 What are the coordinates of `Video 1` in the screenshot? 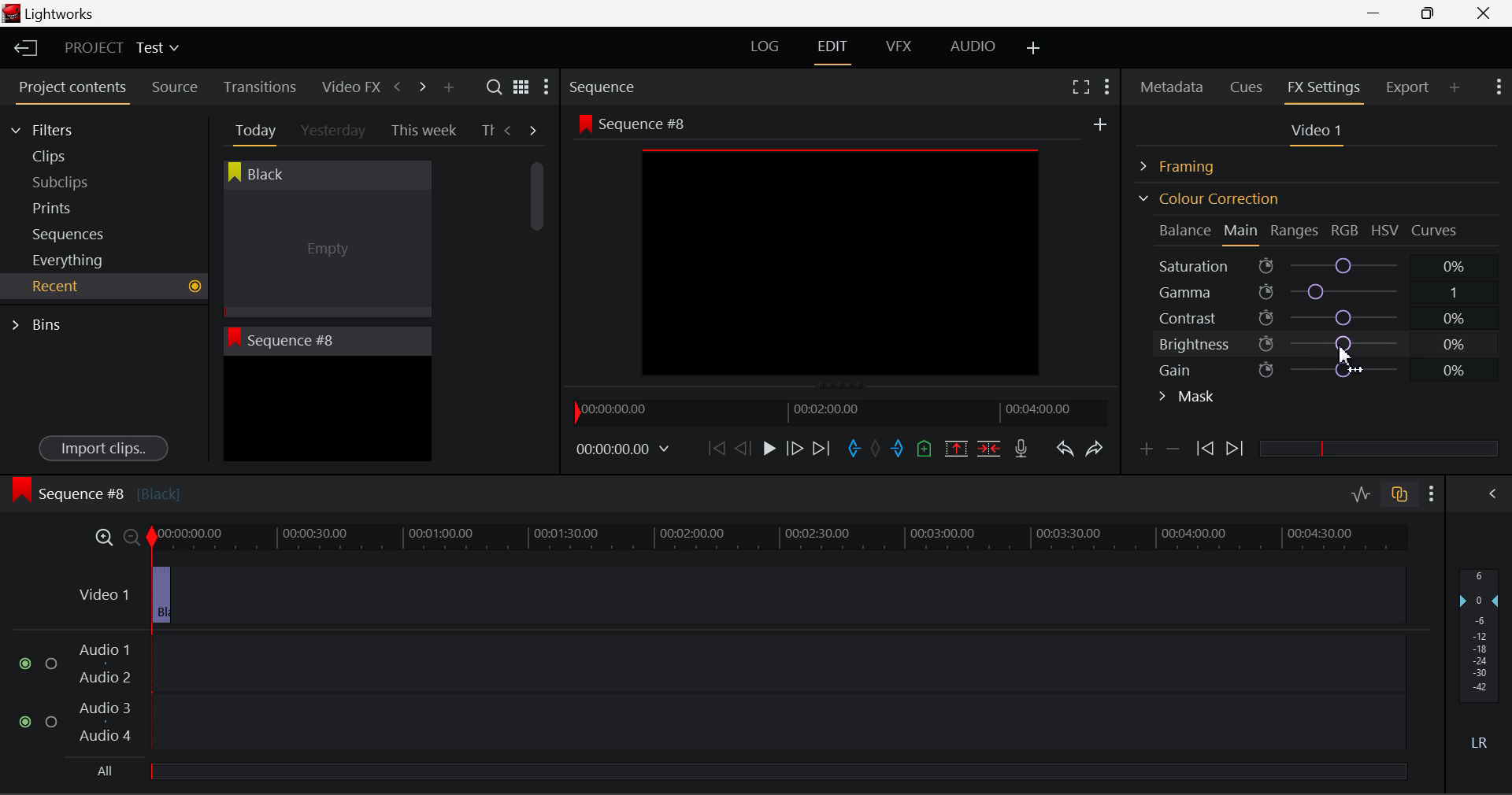 It's located at (102, 591).